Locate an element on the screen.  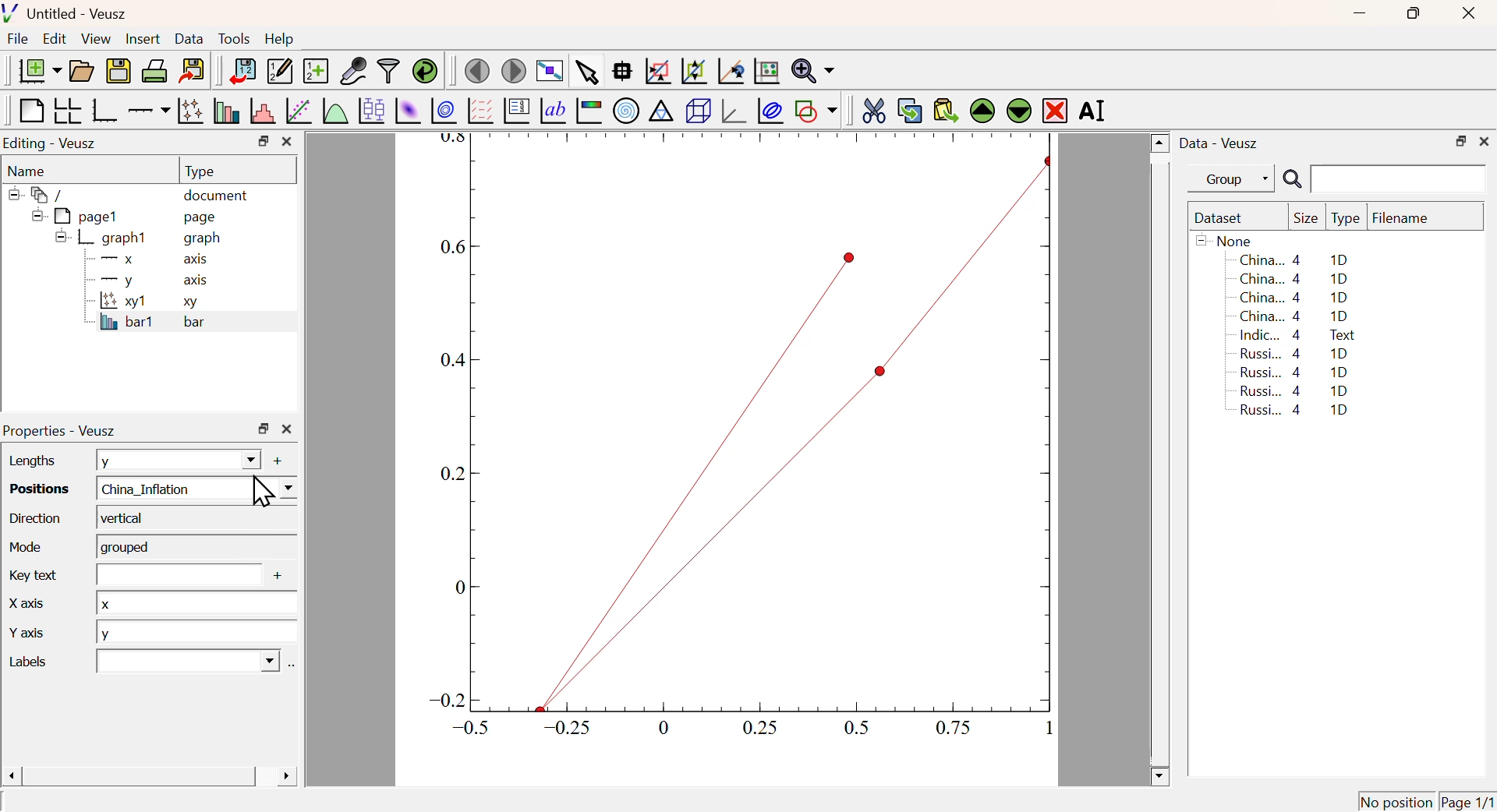
View plot fullscreen is located at coordinates (547, 72).